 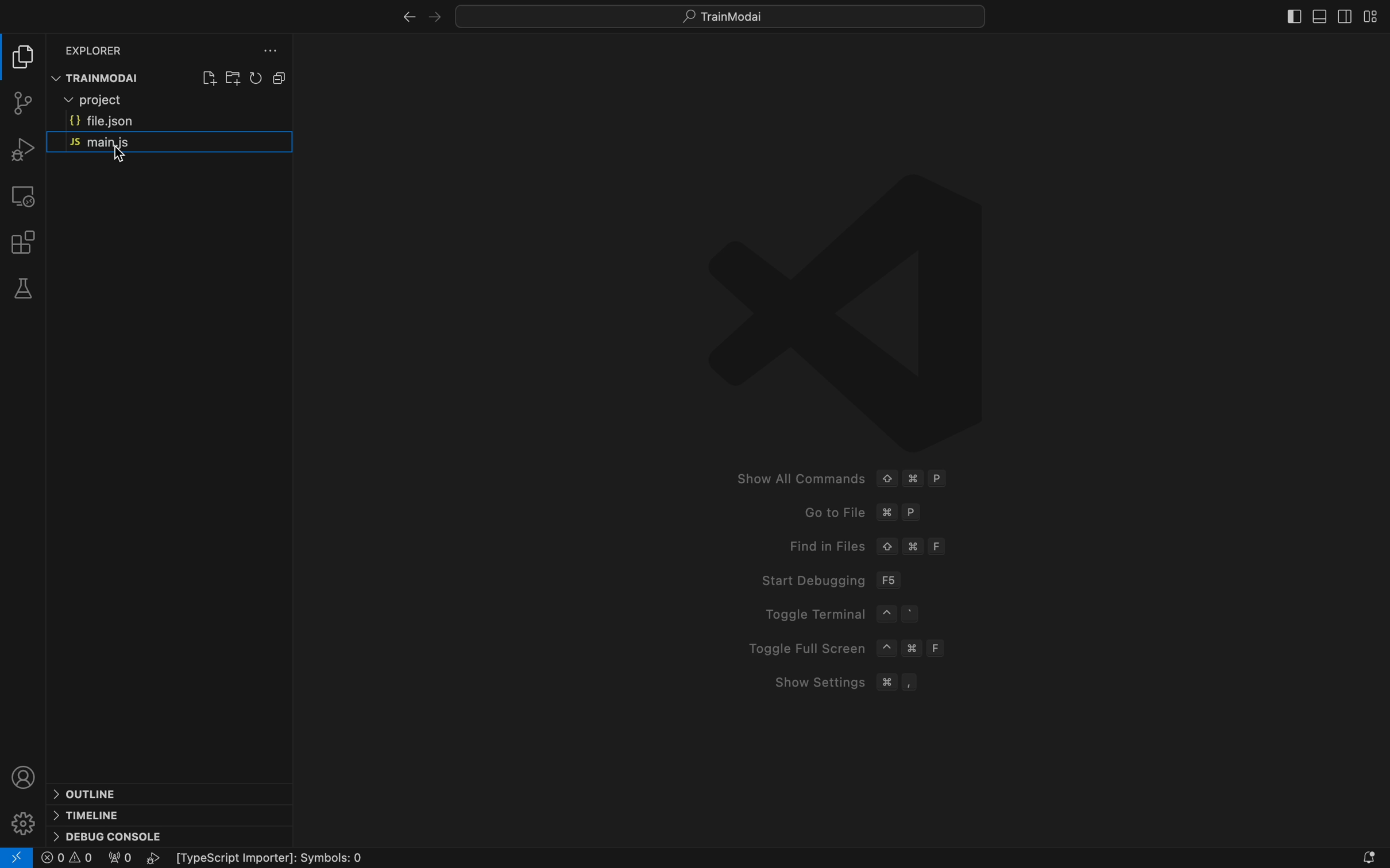 What do you see at coordinates (22, 241) in the screenshot?
I see `extensions` at bounding box center [22, 241].